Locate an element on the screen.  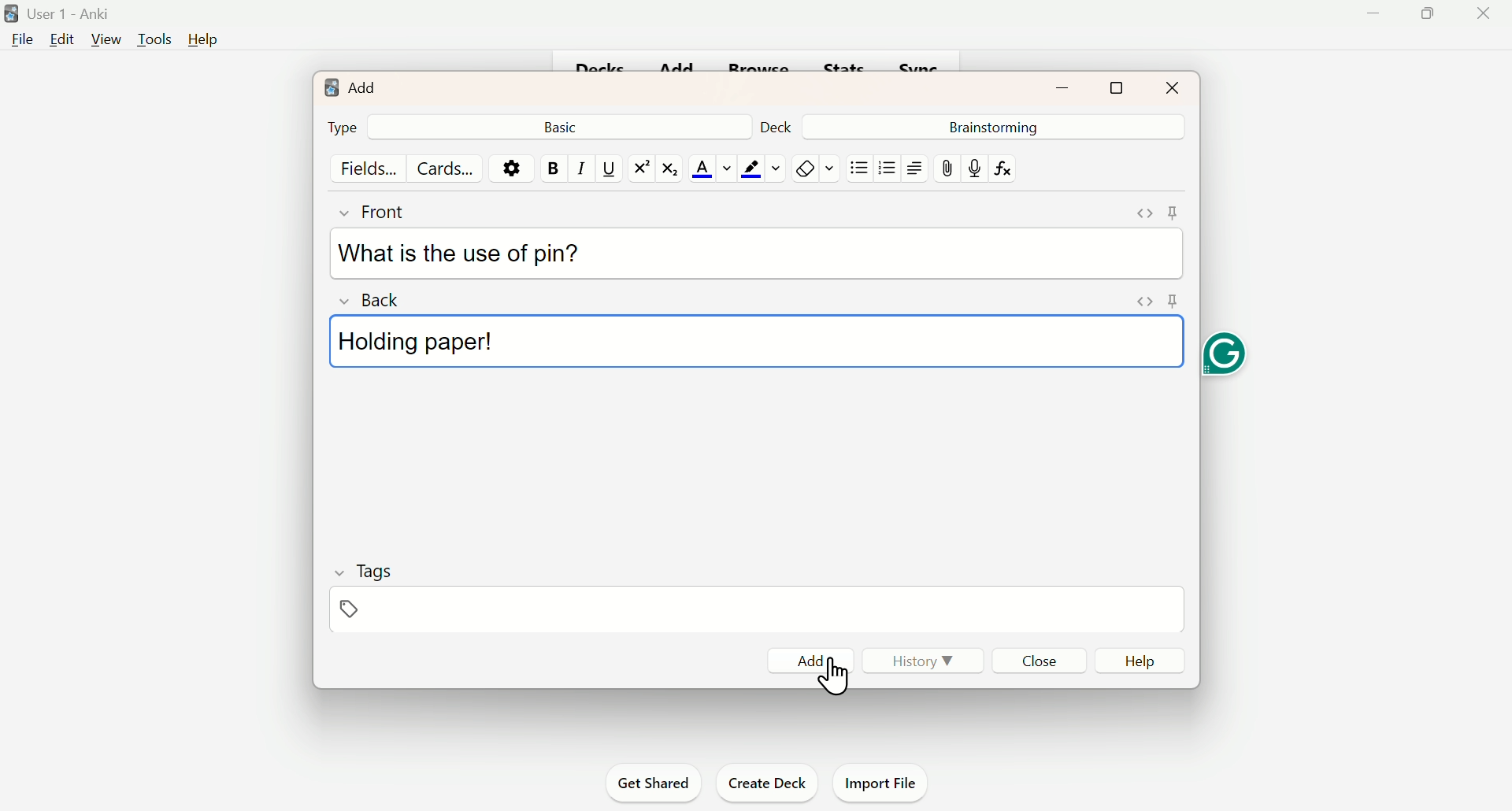
Text Alignment is located at coordinates (913, 168).